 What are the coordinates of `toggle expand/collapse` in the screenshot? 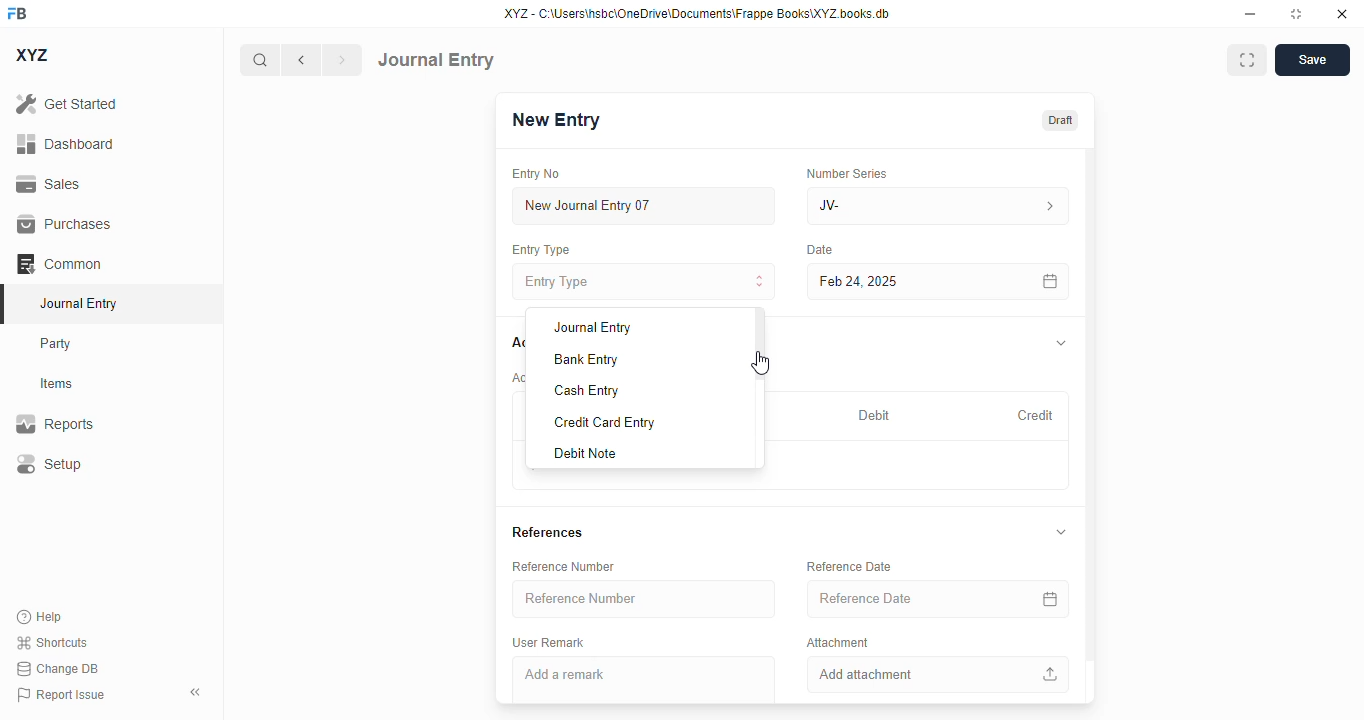 It's located at (1062, 342).